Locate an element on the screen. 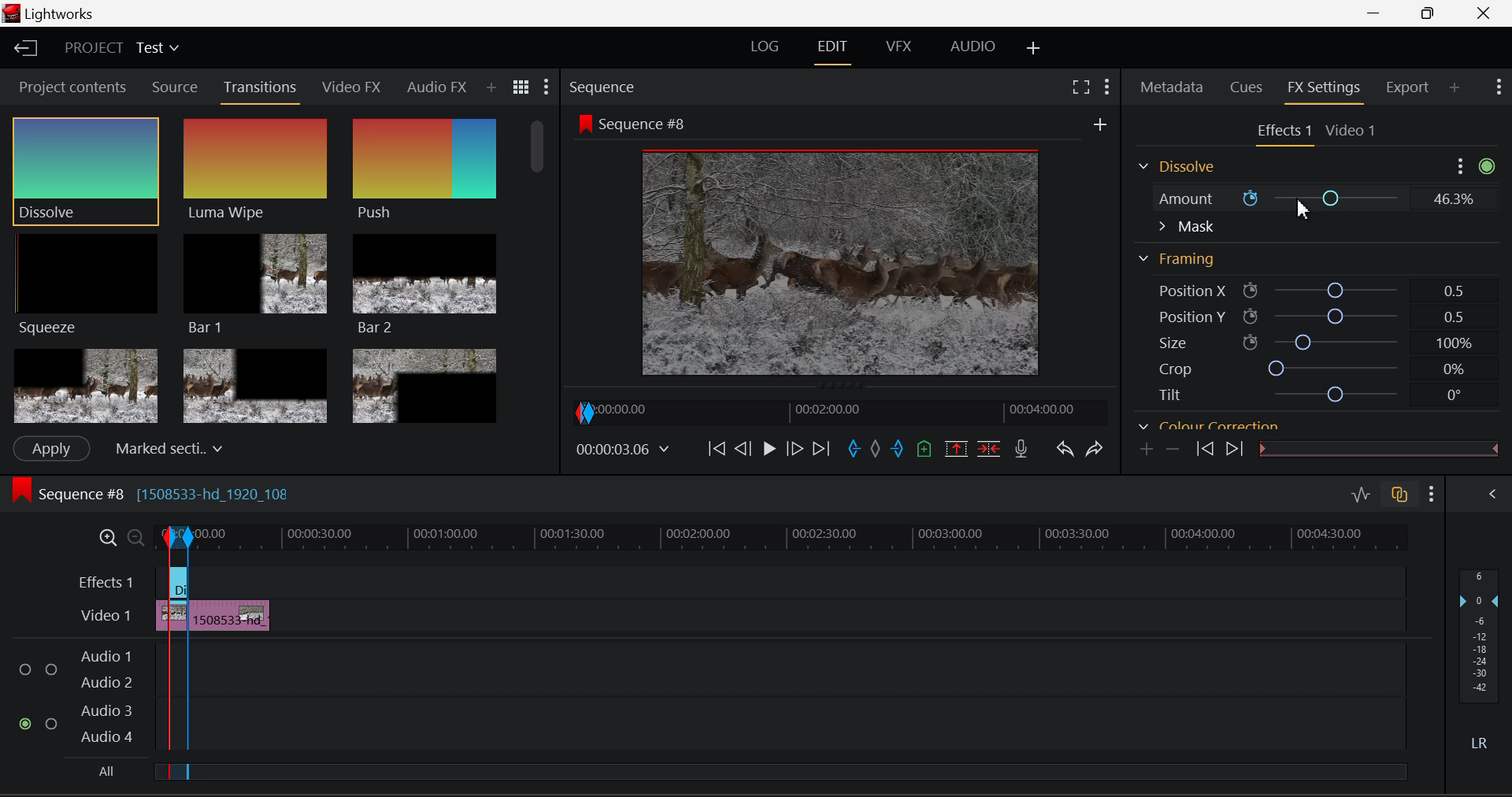 This screenshot has width=1512, height=797. Show Audio Mix is located at coordinates (1493, 496).